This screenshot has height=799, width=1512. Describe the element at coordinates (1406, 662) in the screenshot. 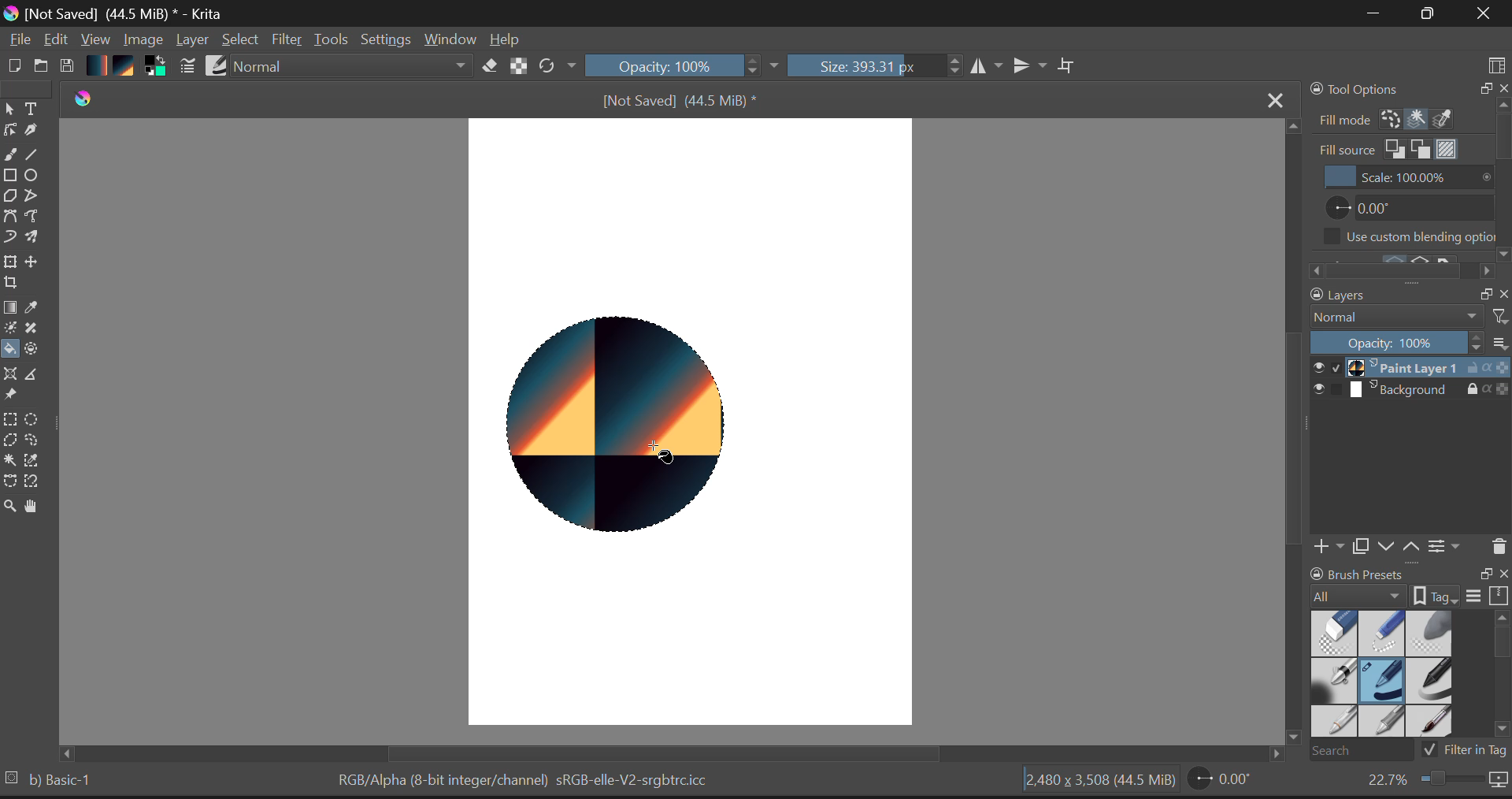

I see `Brush Presets Docker` at that location.